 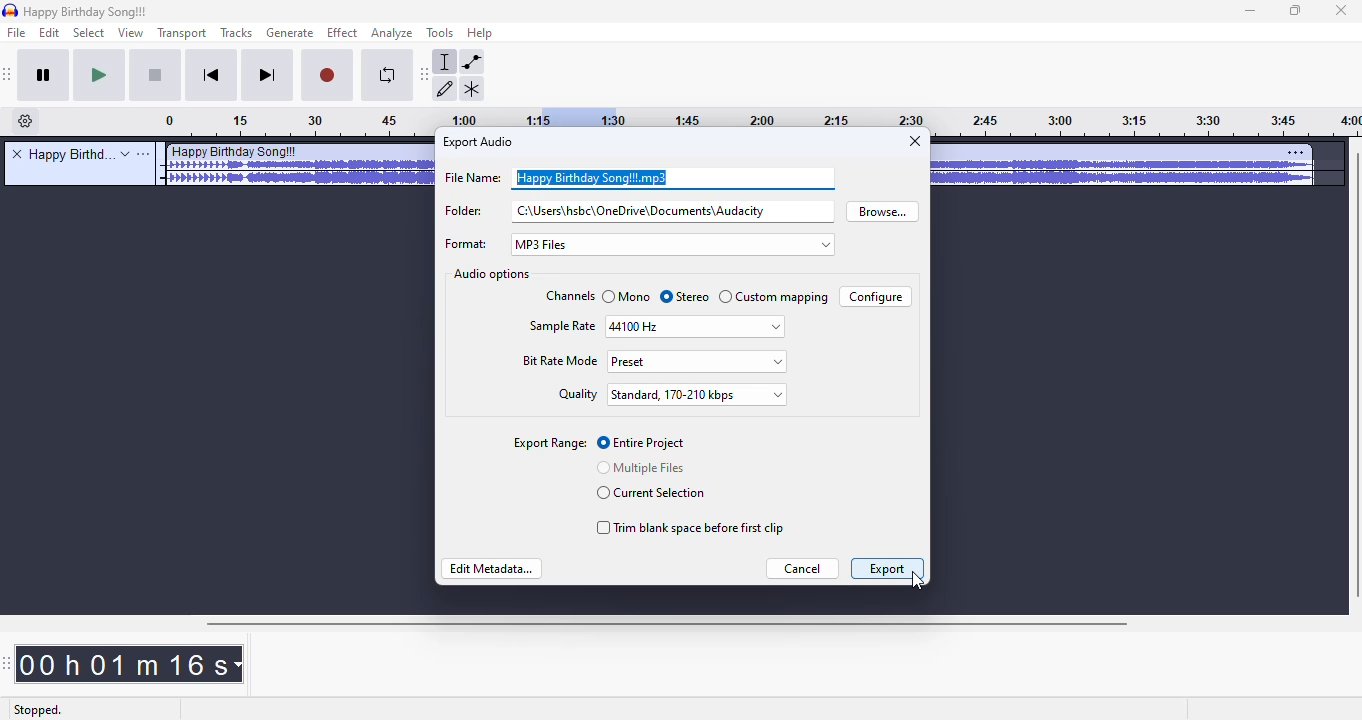 I want to click on export range, so click(x=548, y=443).